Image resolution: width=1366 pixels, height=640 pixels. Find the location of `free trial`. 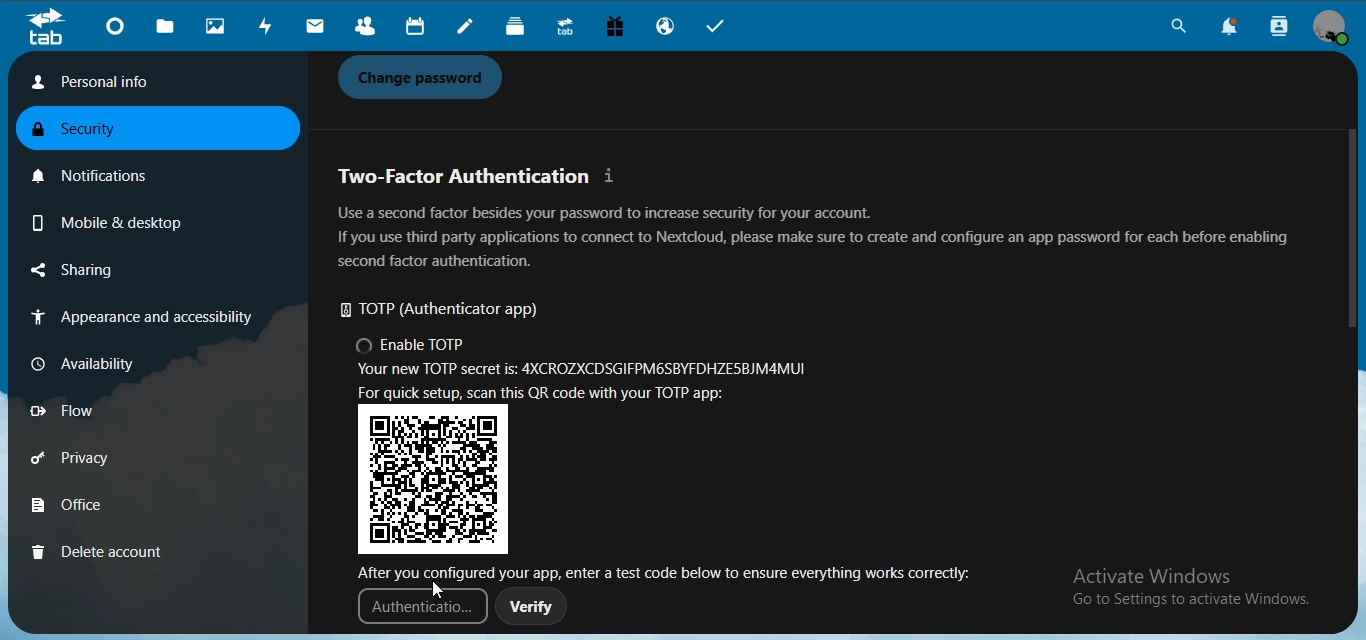

free trial is located at coordinates (617, 29).